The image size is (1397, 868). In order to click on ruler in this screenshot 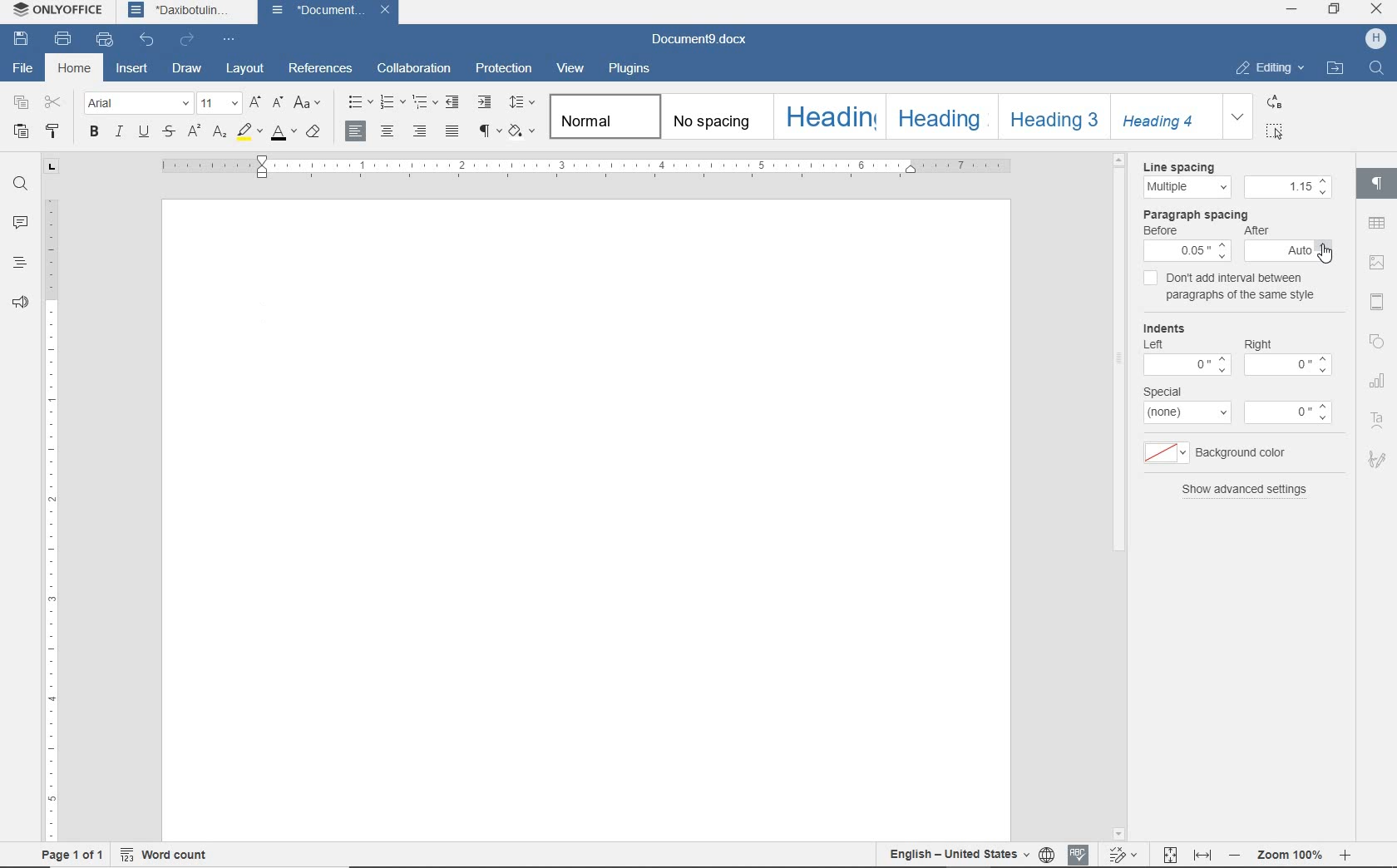, I will do `click(49, 519)`.